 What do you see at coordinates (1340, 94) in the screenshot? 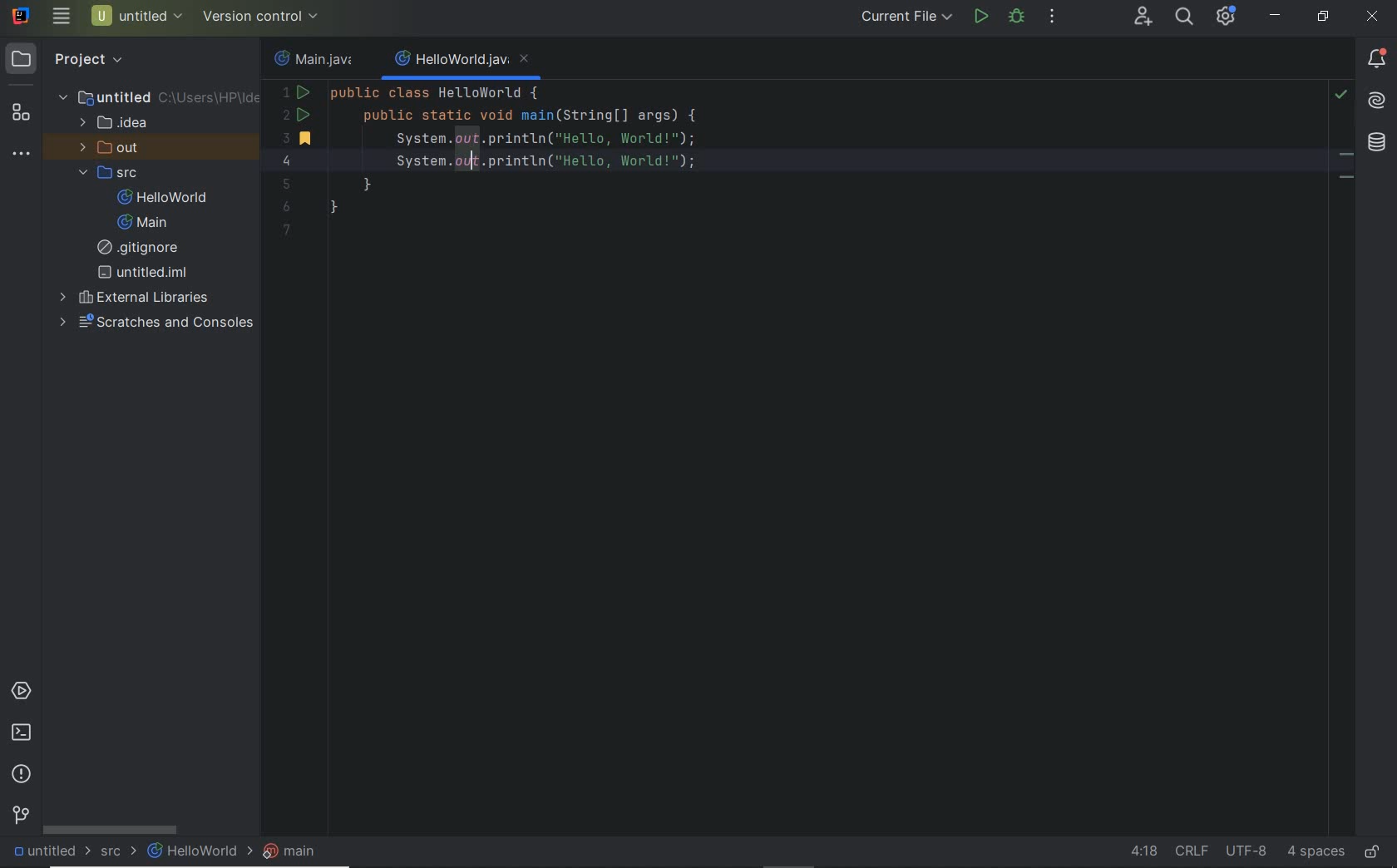
I see `no problem to highlight` at bounding box center [1340, 94].